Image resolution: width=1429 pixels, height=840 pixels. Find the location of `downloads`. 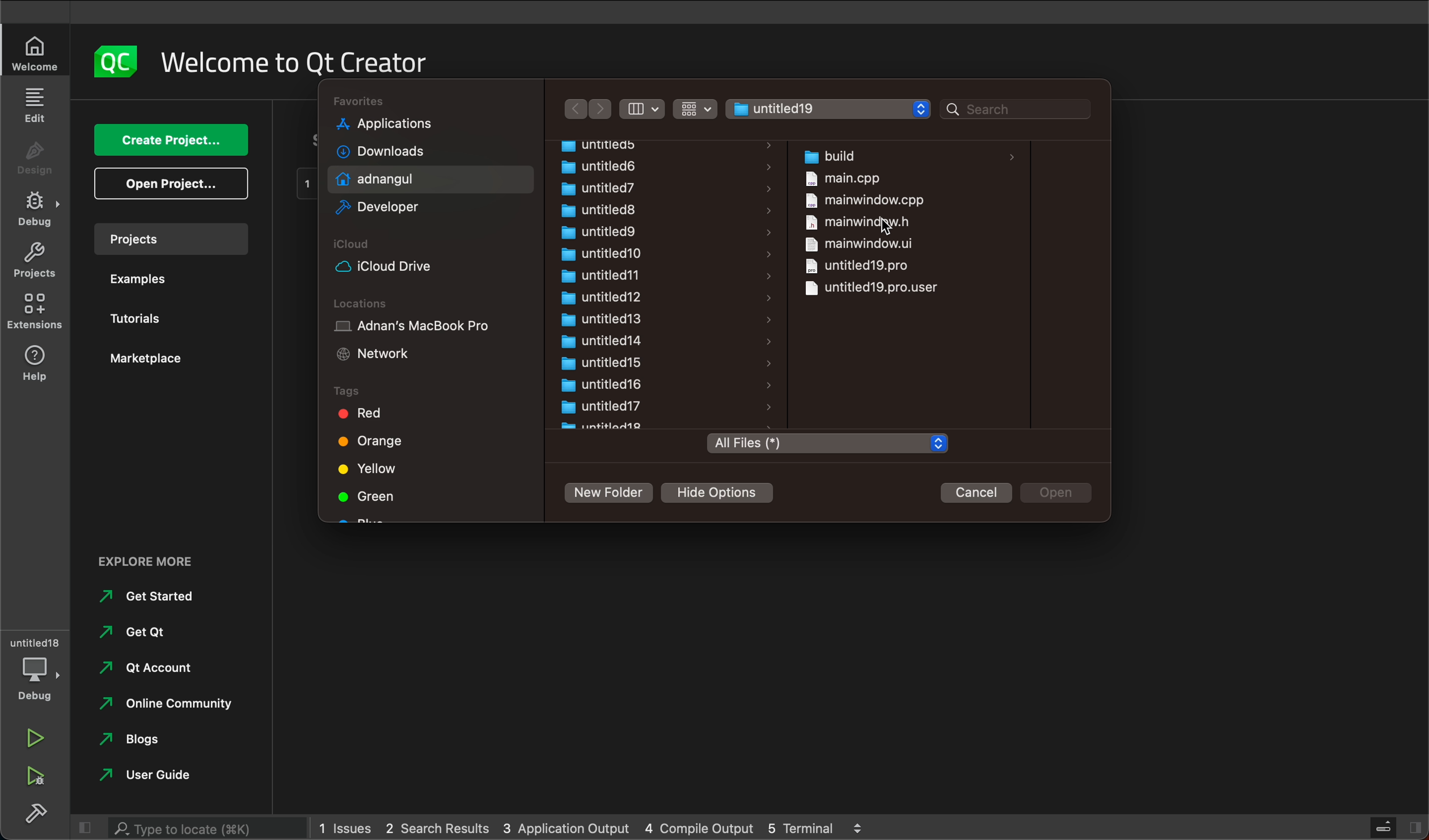

downloads is located at coordinates (385, 154).